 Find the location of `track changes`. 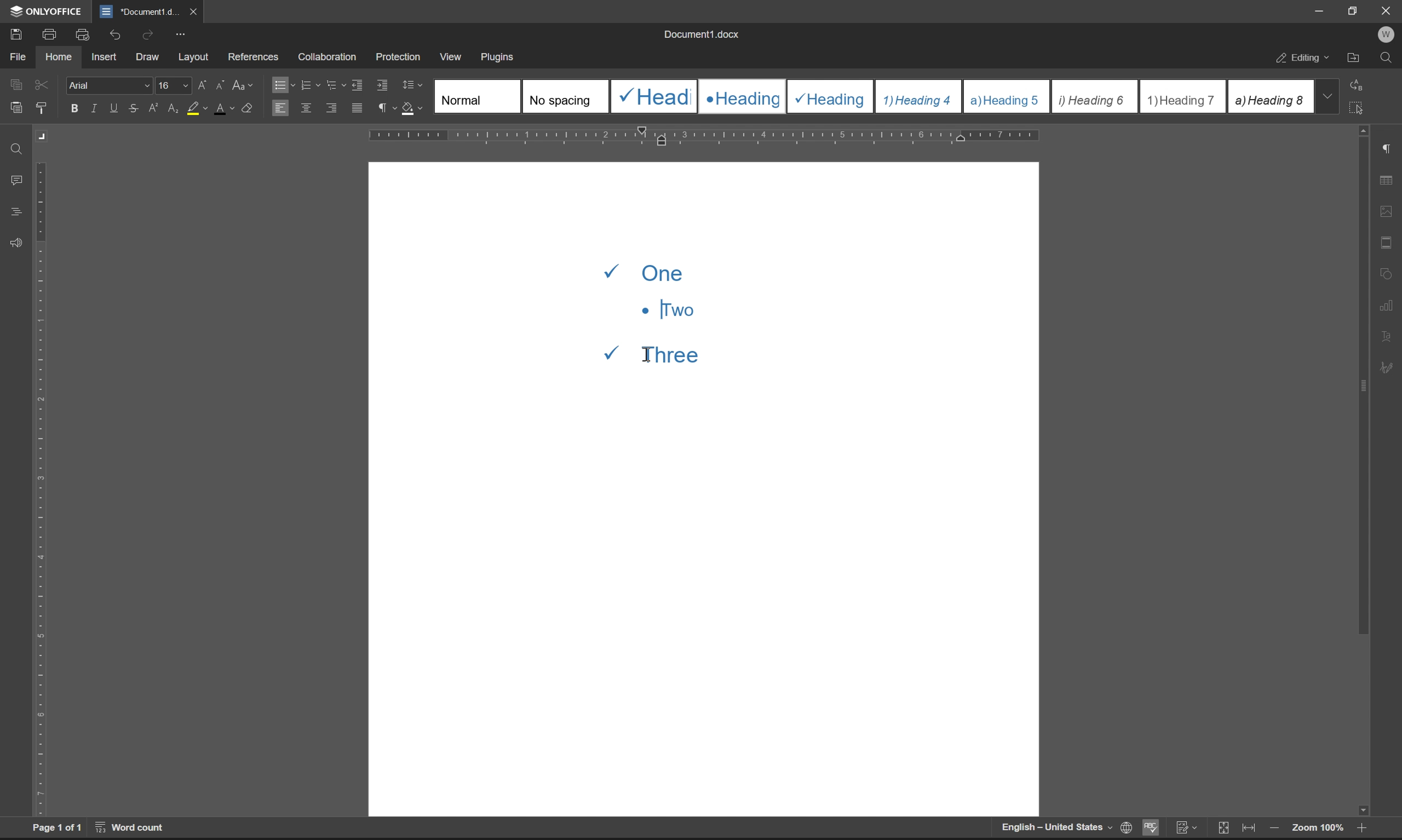

track changes is located at coordinates (1186, 828).